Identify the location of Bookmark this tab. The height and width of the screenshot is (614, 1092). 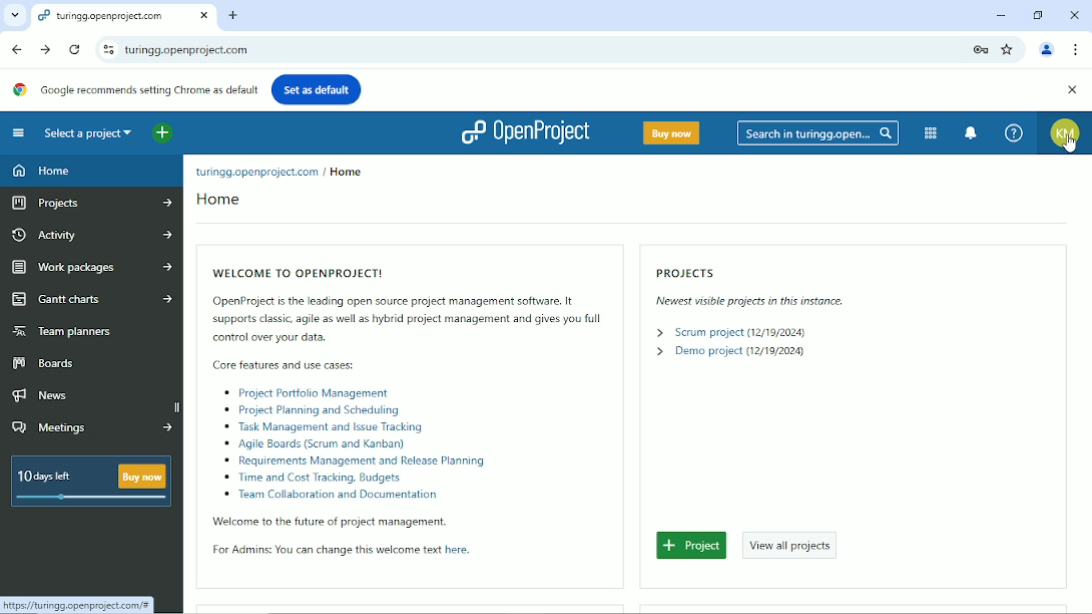
(1009, 49).